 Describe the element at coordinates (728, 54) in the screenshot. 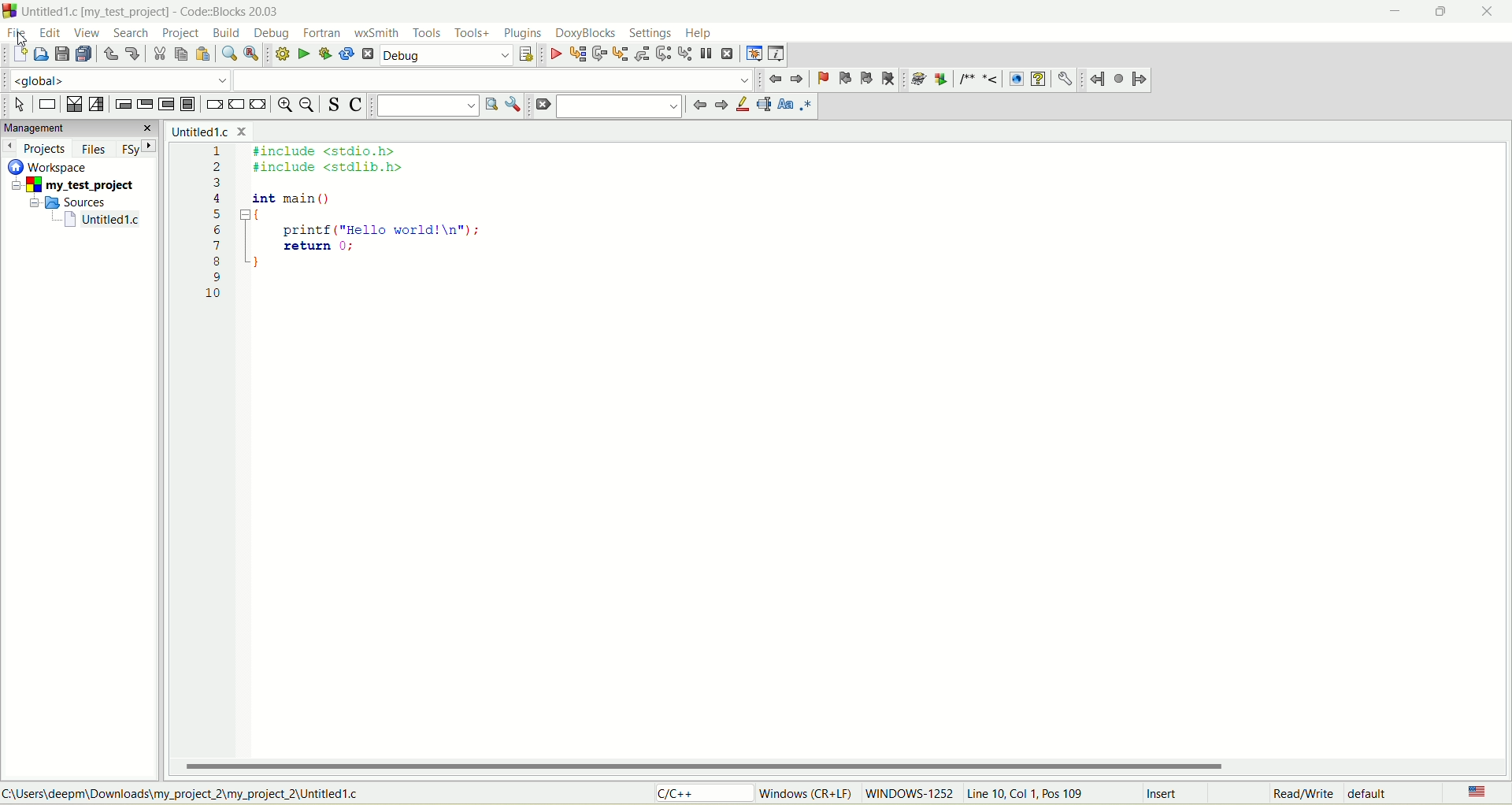

I see `stop debugger` at that location.